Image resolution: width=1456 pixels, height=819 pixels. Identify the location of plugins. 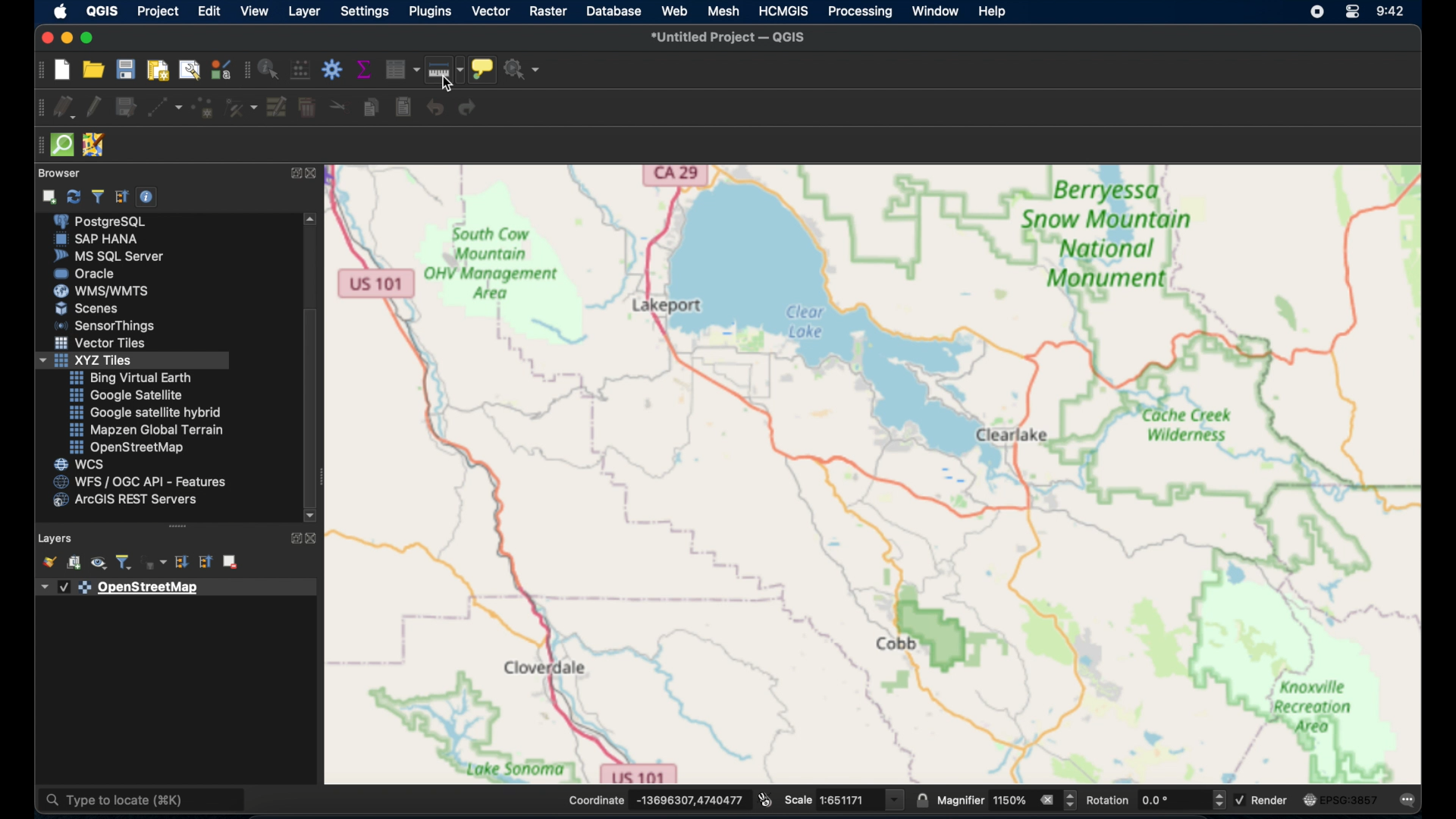
(431, 11).